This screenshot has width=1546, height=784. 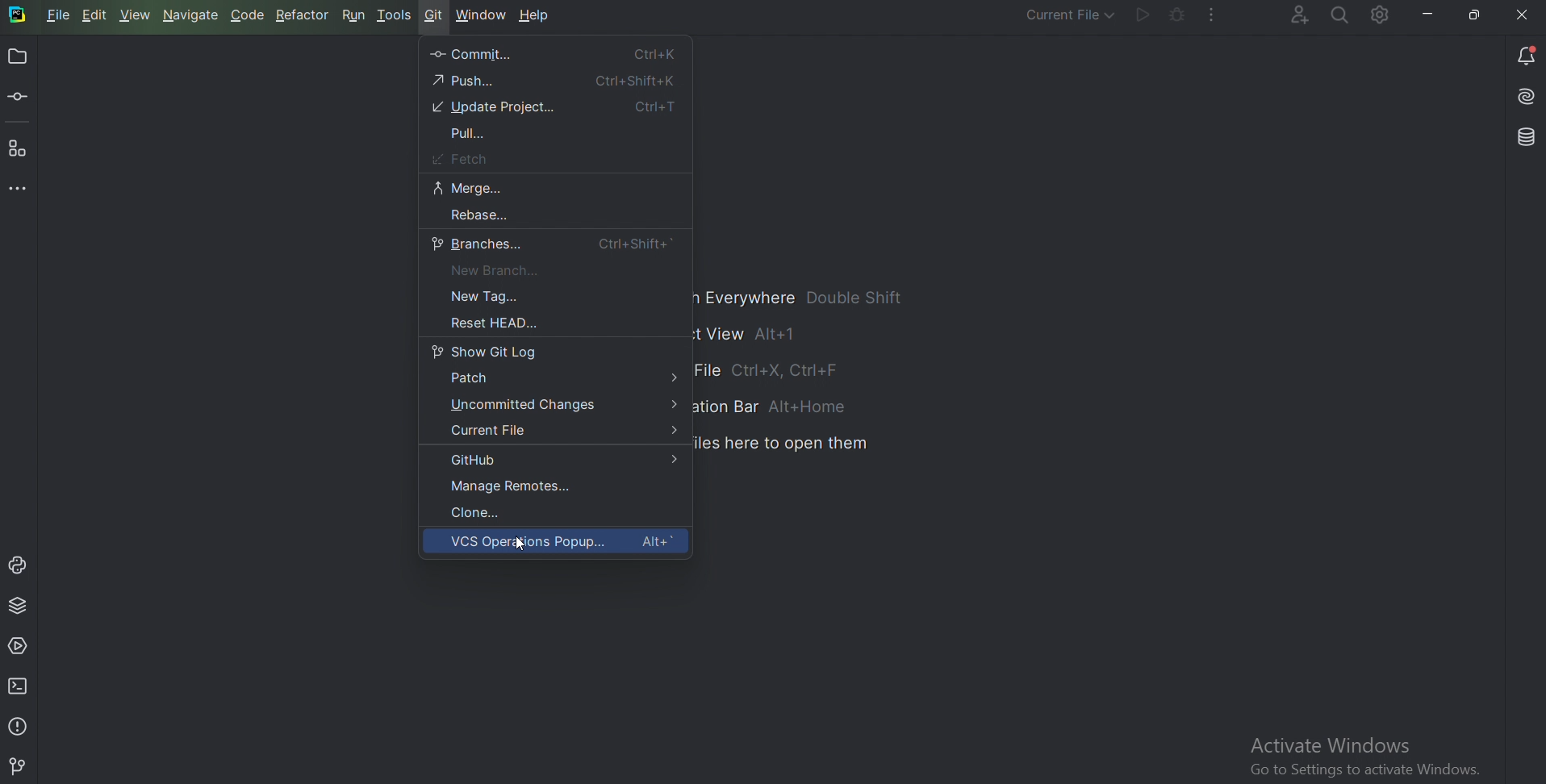 I want to click on Git, so click(x=434, y=15).